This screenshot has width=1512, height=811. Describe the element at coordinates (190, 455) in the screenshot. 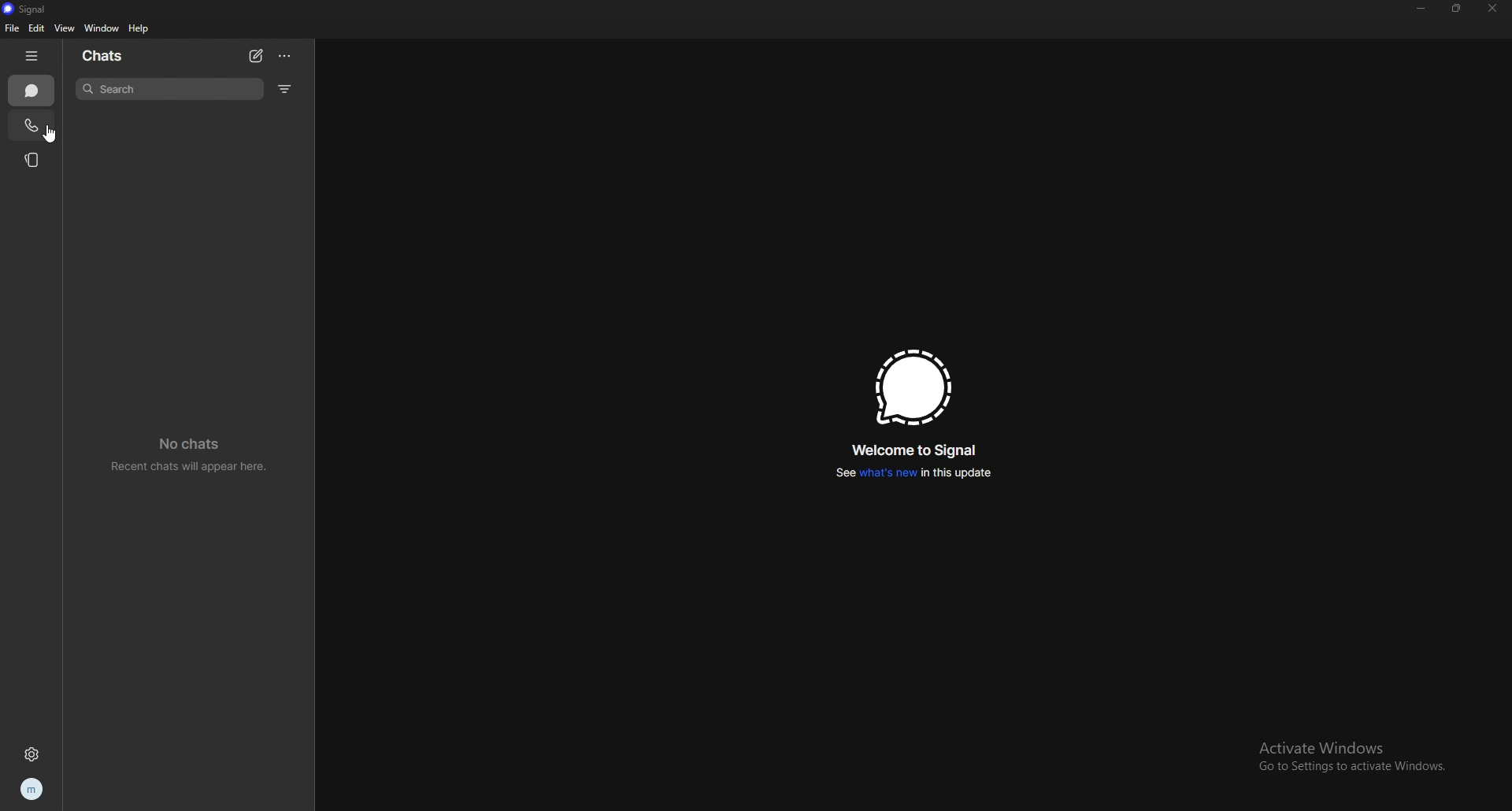

I see `no chats recent chats will appear here` at that location.